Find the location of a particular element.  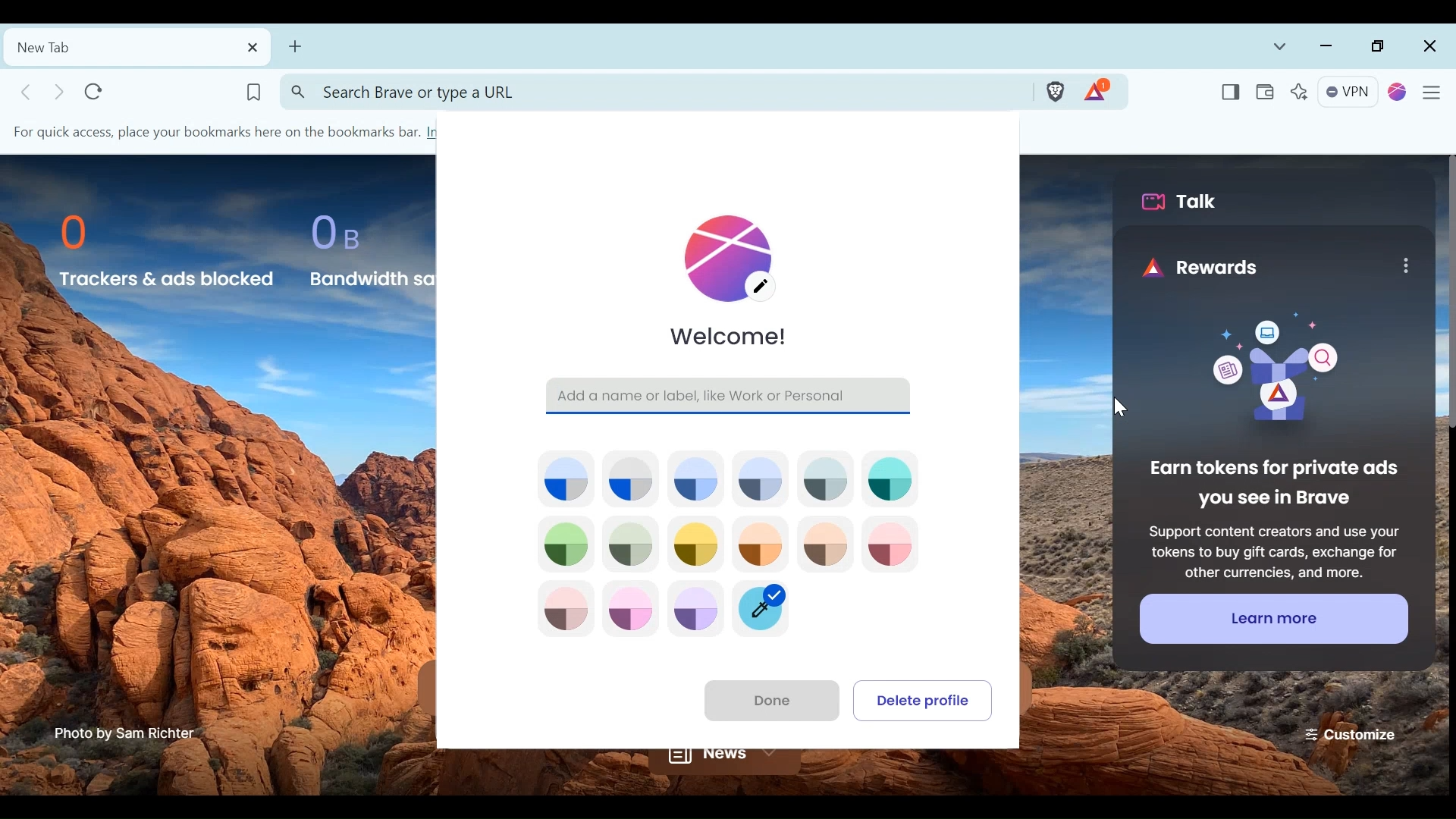

Delete Profile is located at coordinates (925, 698).